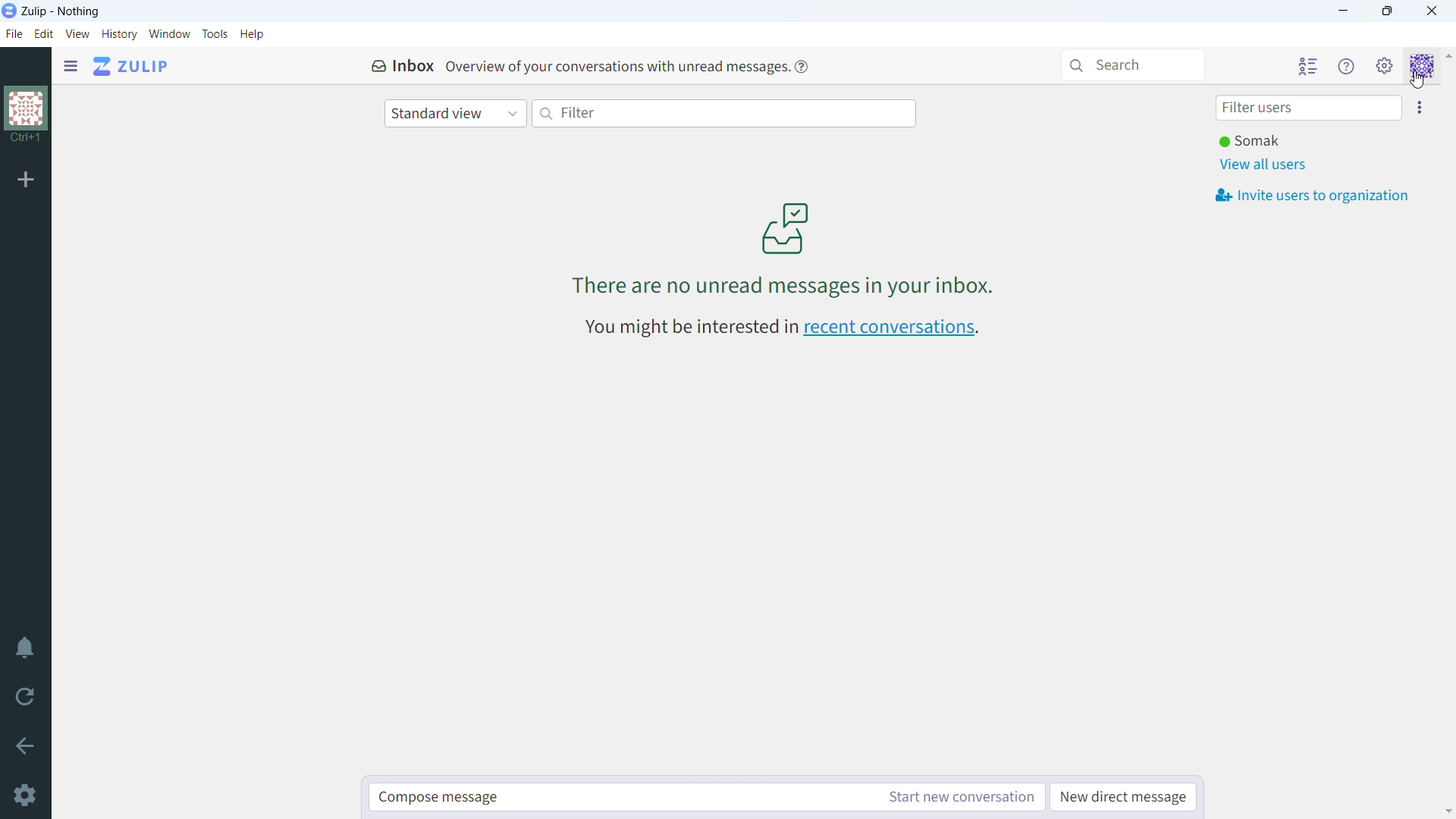 The height and width of the screenshot is (819, 1456). Describe the element at coordinates (783, 227) in the screenshot. I see `ICON` at that location.